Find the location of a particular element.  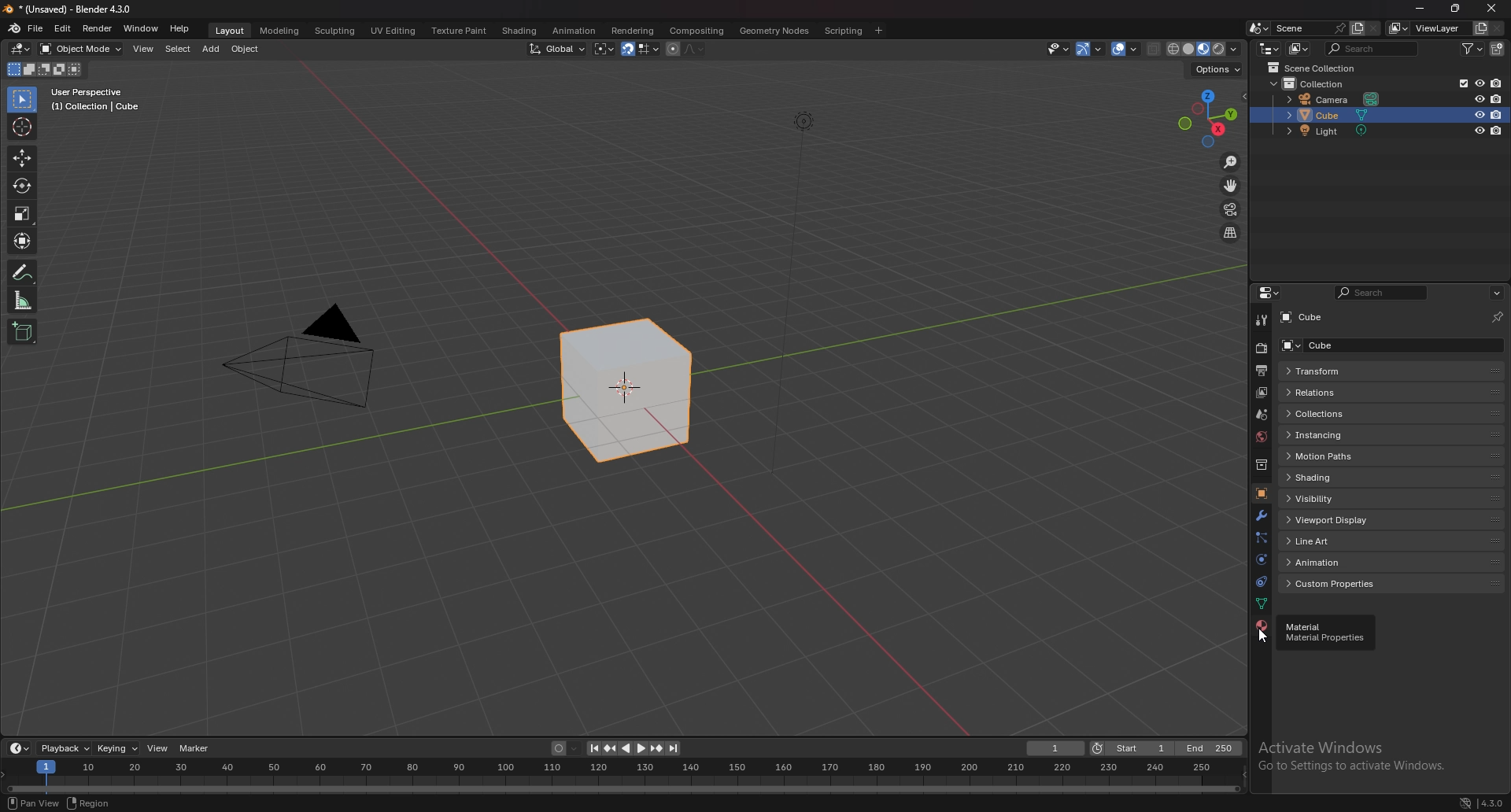

play animation is located at coordinates (633, 748).